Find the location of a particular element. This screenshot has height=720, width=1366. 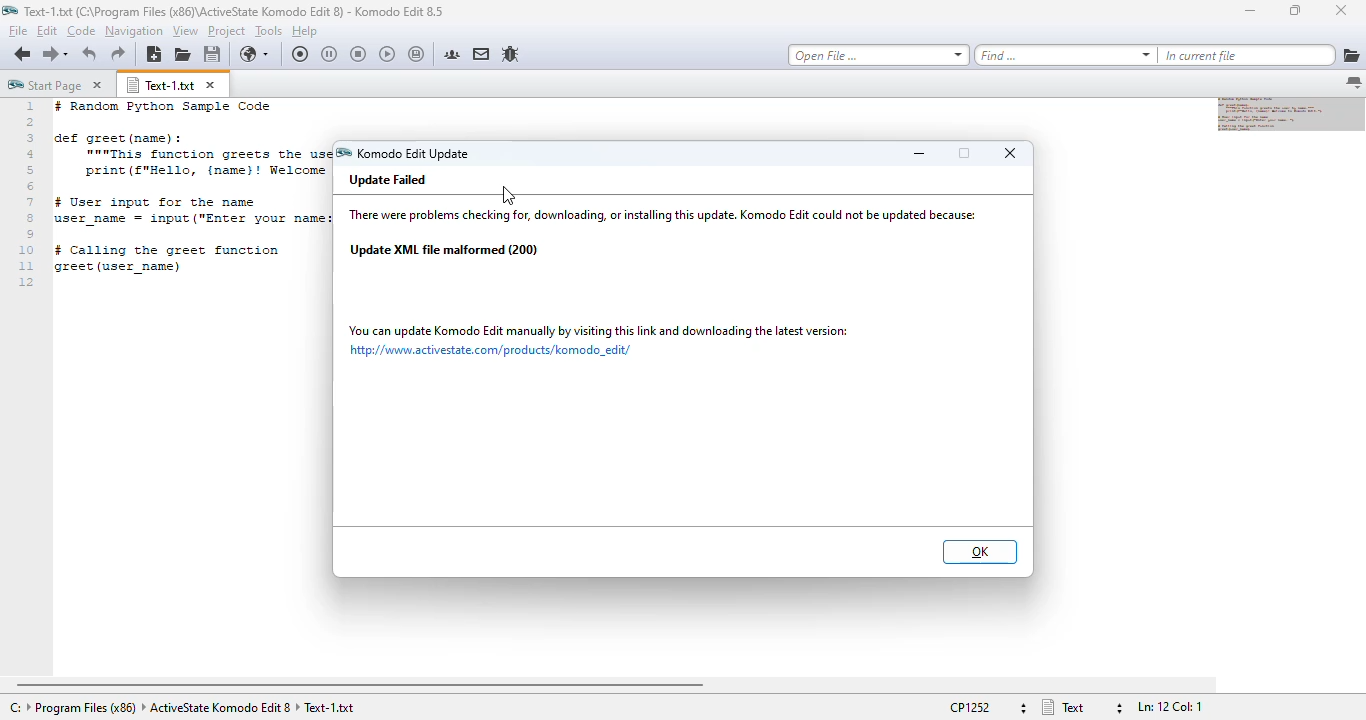

save file is located at coordinates (212, 55).